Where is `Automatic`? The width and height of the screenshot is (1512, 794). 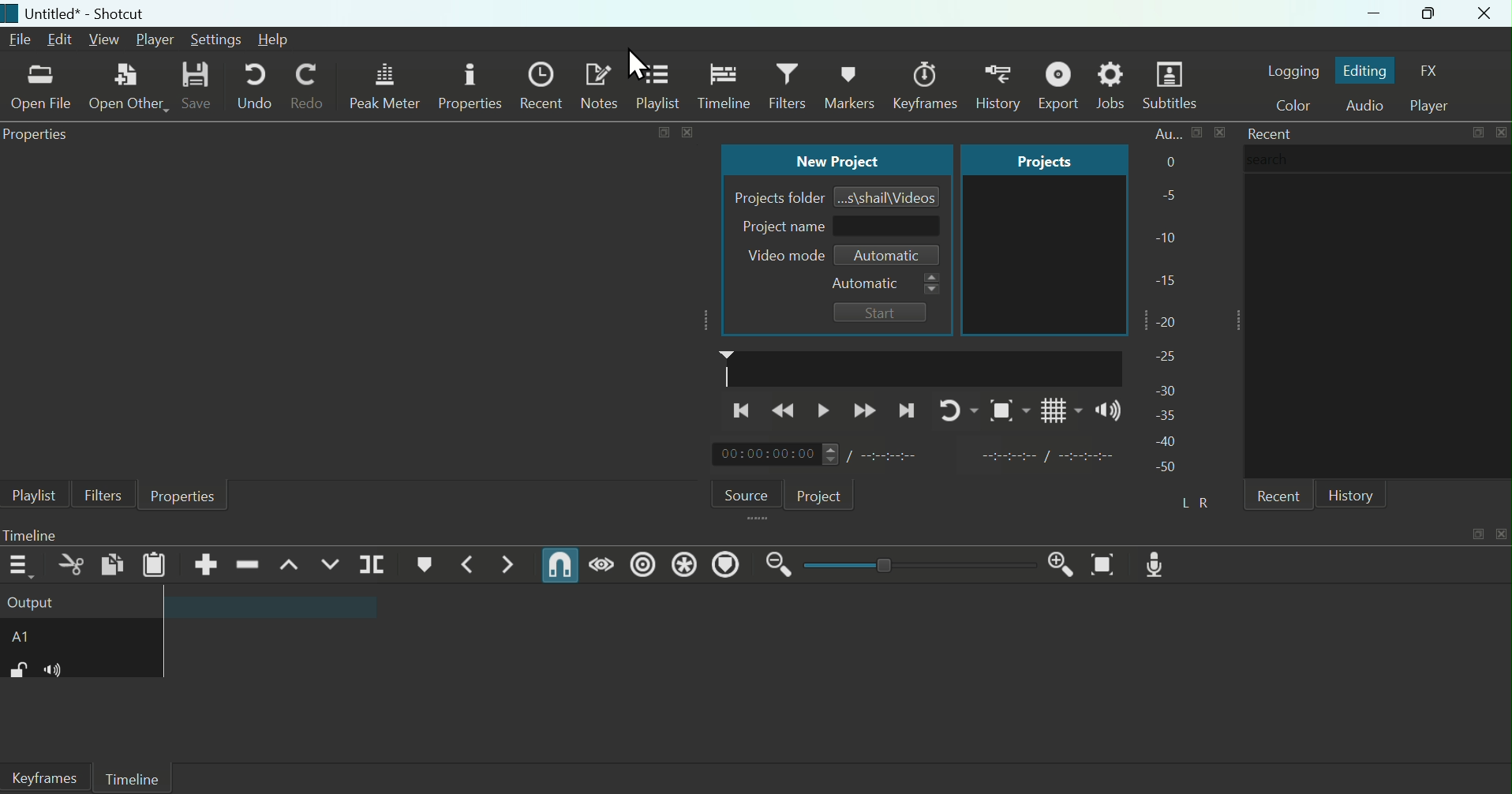
Automatic is located at coordinates (888, 257).